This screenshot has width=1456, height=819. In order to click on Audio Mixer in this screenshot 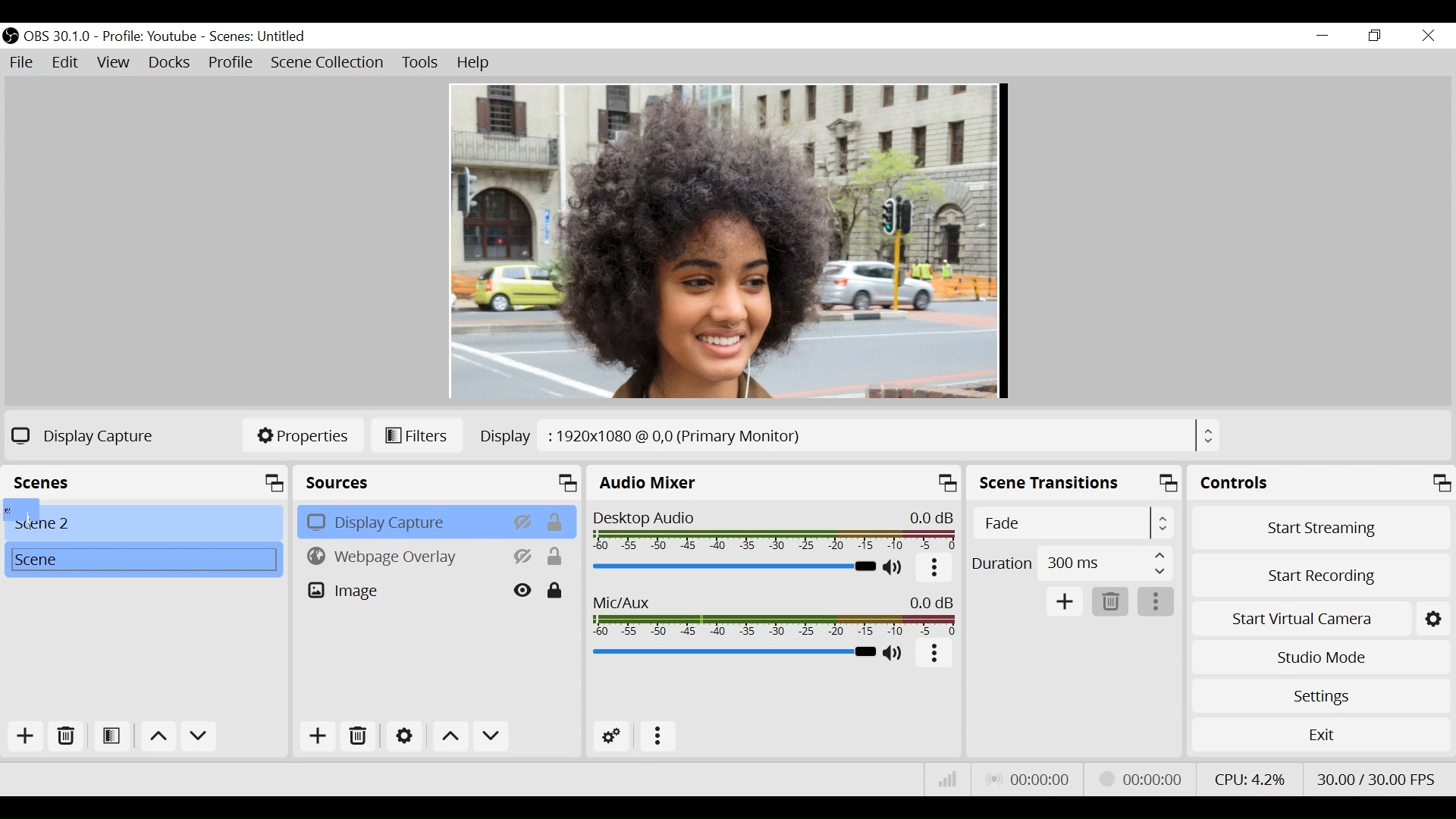, I will do `click(775, 482)`.